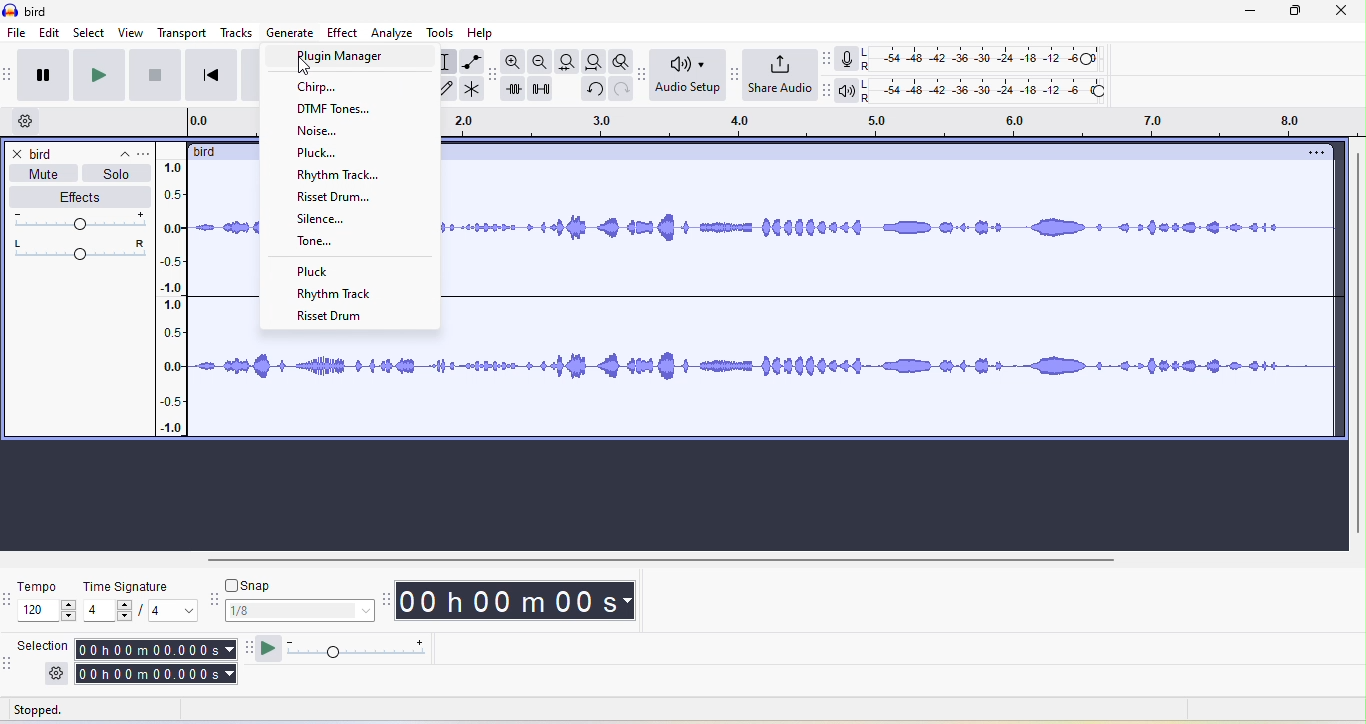  What do you see at coordinates (77, 197) in the screenshot?
I see `effect` at bounding box center [77, 197].